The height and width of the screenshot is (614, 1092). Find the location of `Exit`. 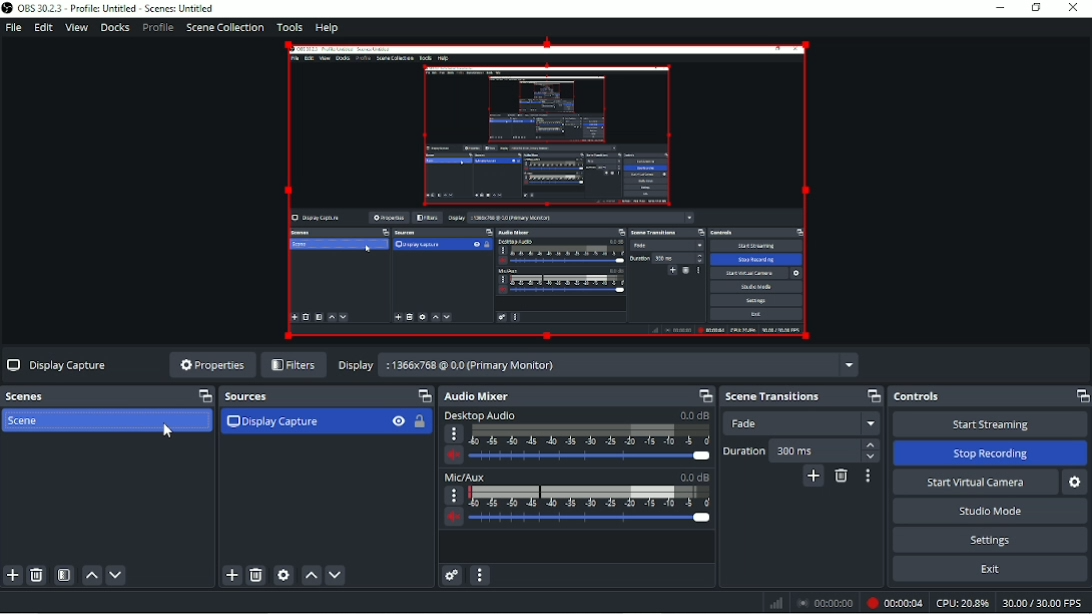

Exit is located at coordinates (990, 571).